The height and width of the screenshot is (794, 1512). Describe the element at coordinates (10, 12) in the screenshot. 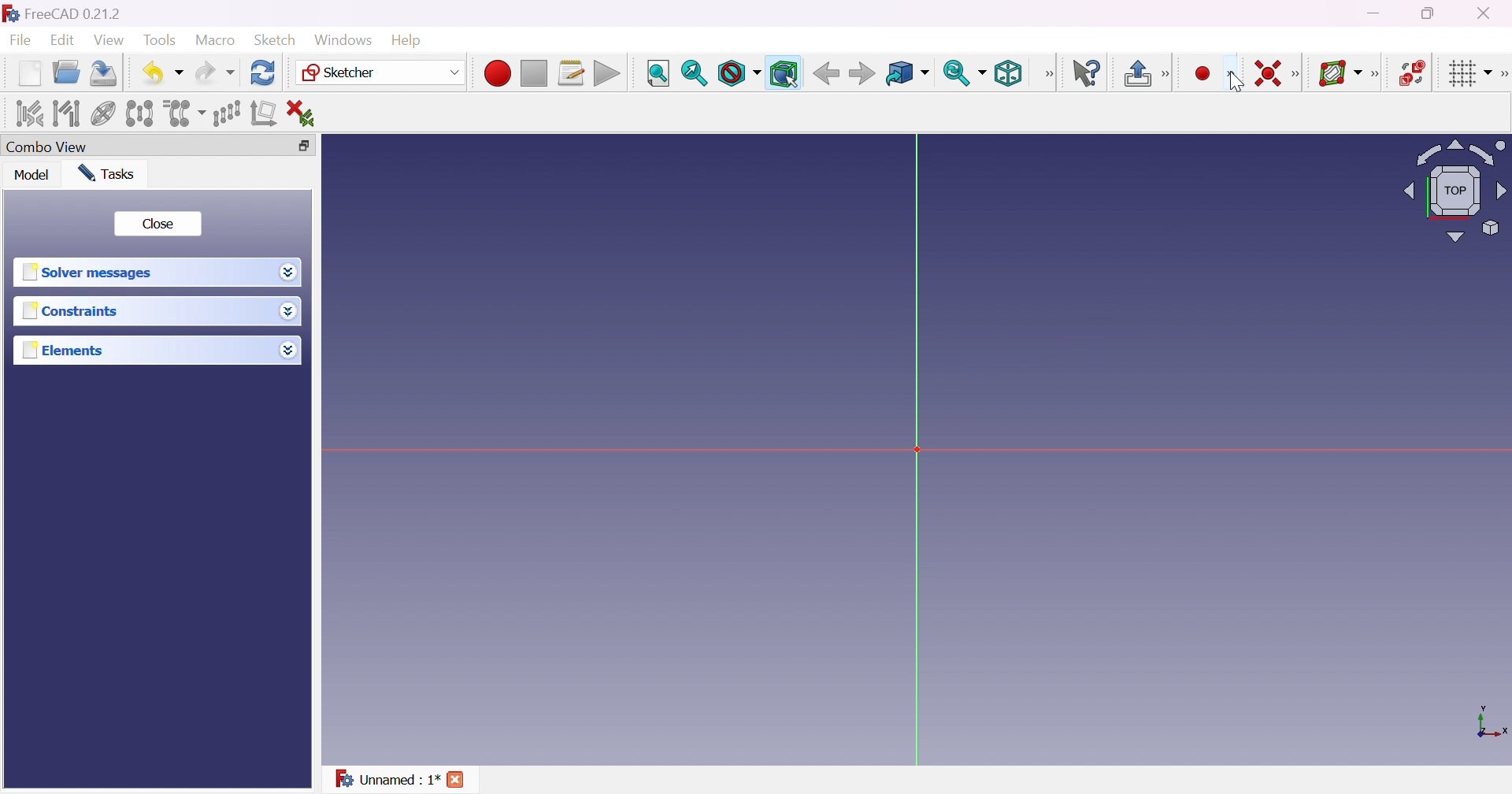

I see `logo` at that location.